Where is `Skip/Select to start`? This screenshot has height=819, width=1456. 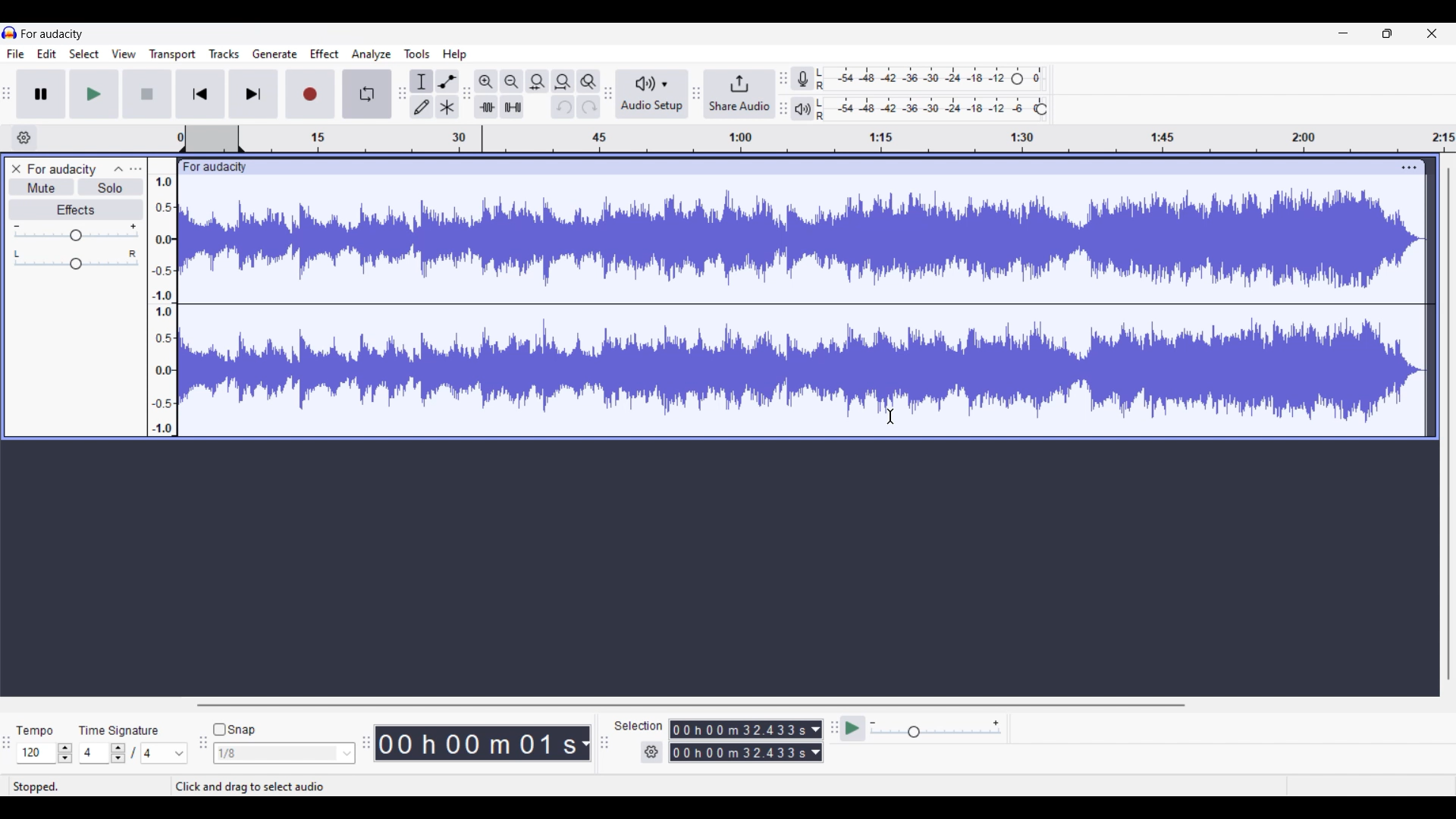 Skip/Select to start is located at coordinates (200, 94).